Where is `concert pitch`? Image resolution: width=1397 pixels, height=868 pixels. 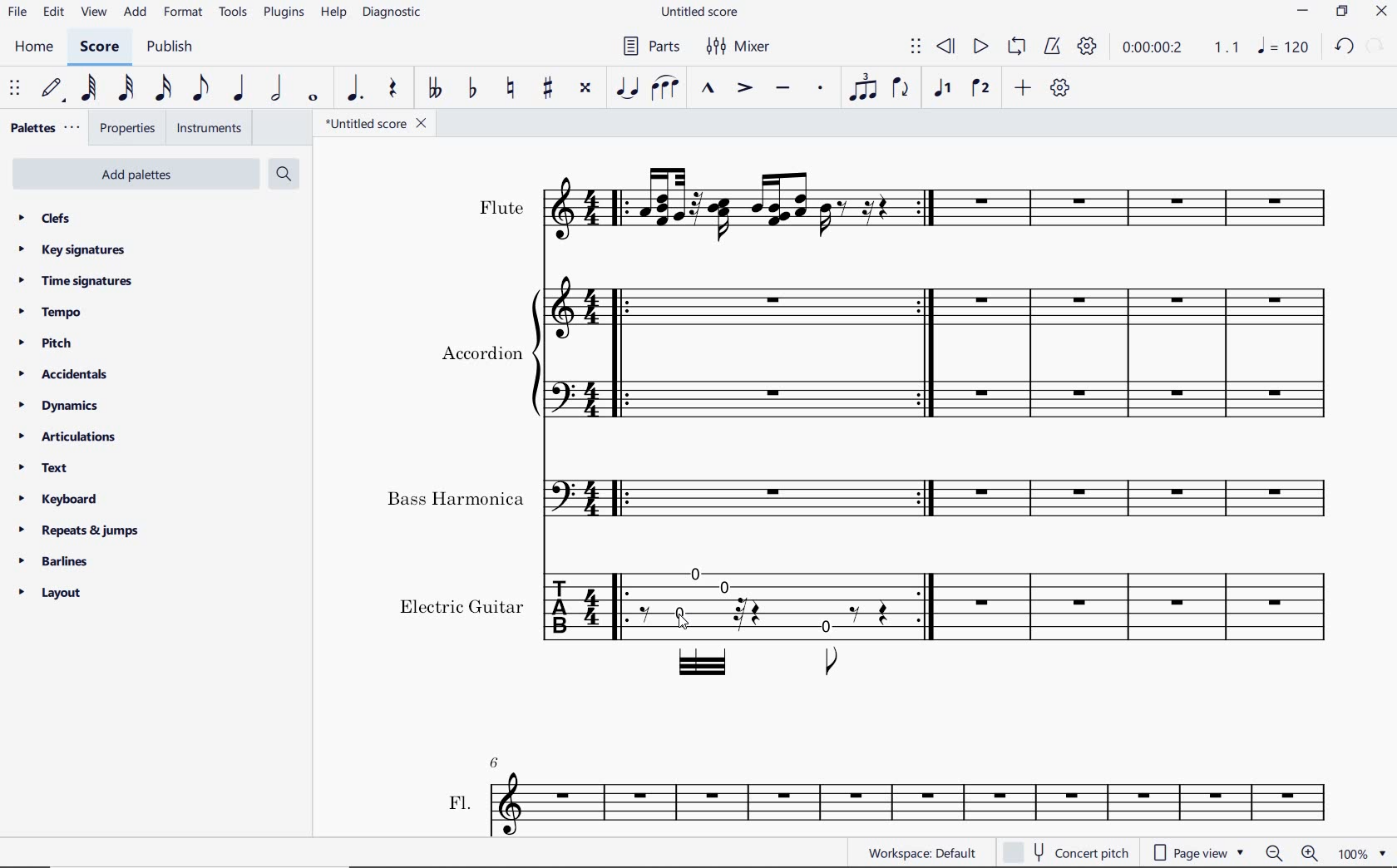
concert pitch is located at coordinates (1065, 852).